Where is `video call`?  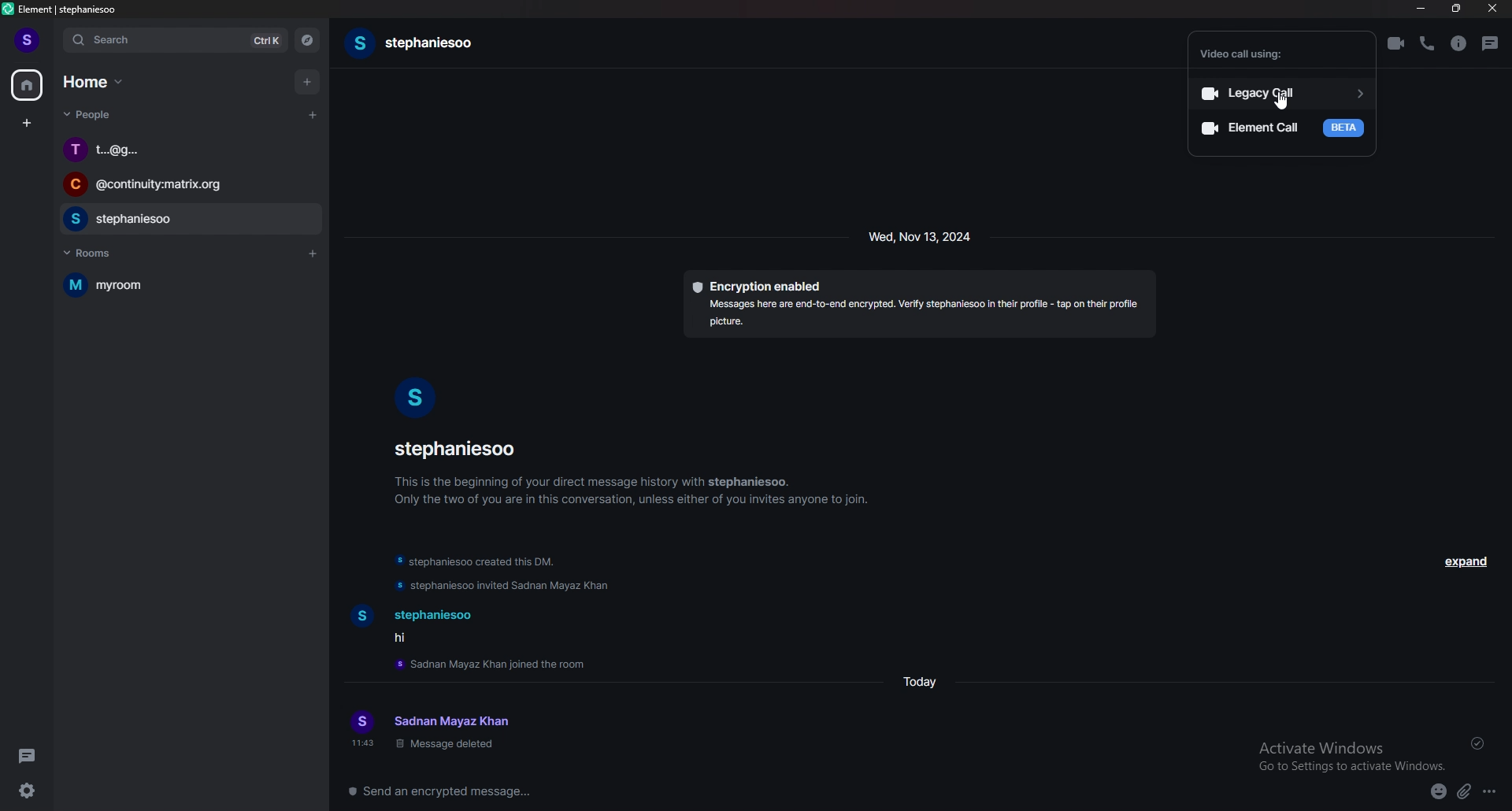
video call is located at coordinates (1398, 44).